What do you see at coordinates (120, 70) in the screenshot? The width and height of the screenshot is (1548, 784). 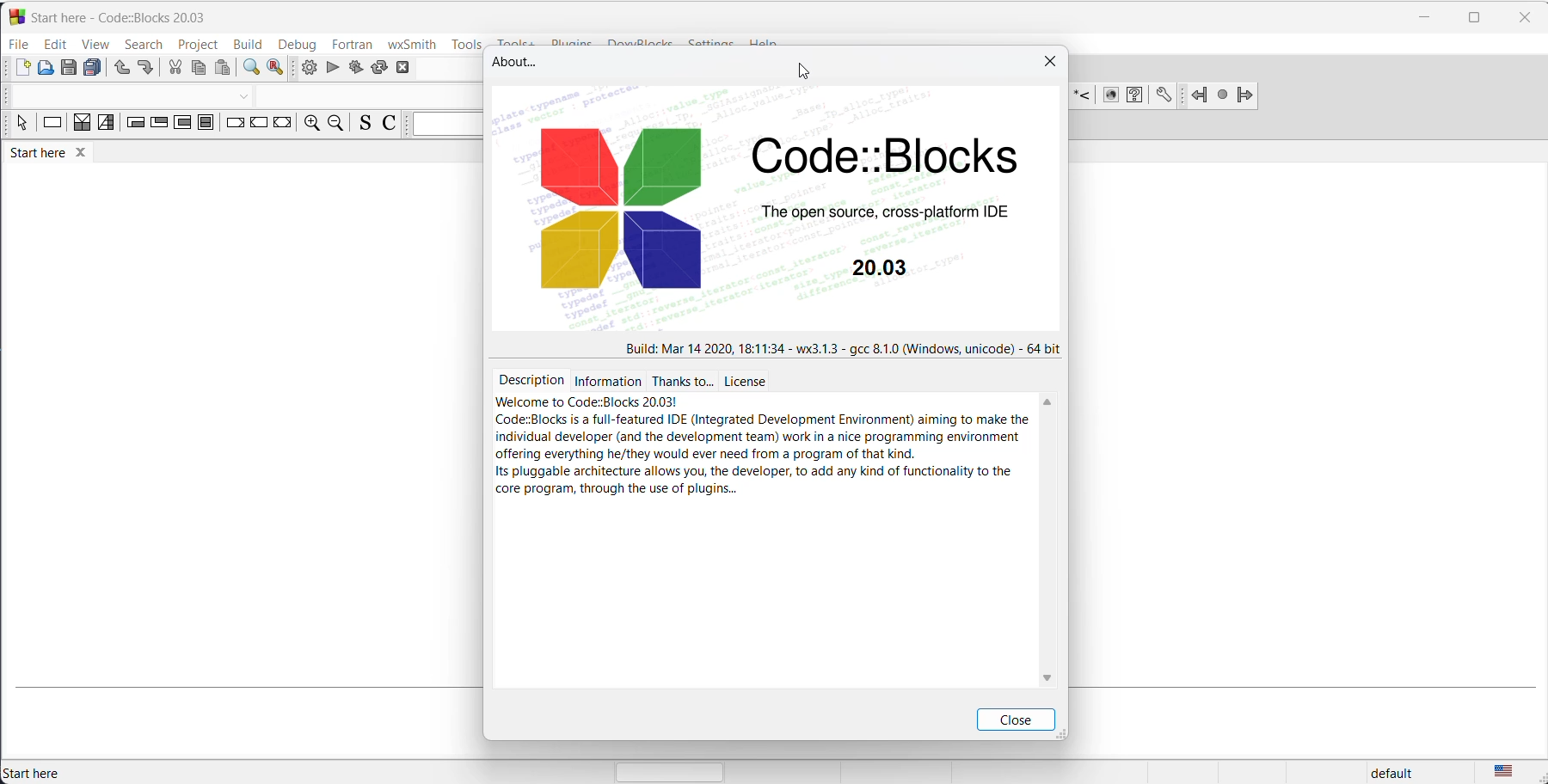 I see `undo` at bounding box center [120, 70].